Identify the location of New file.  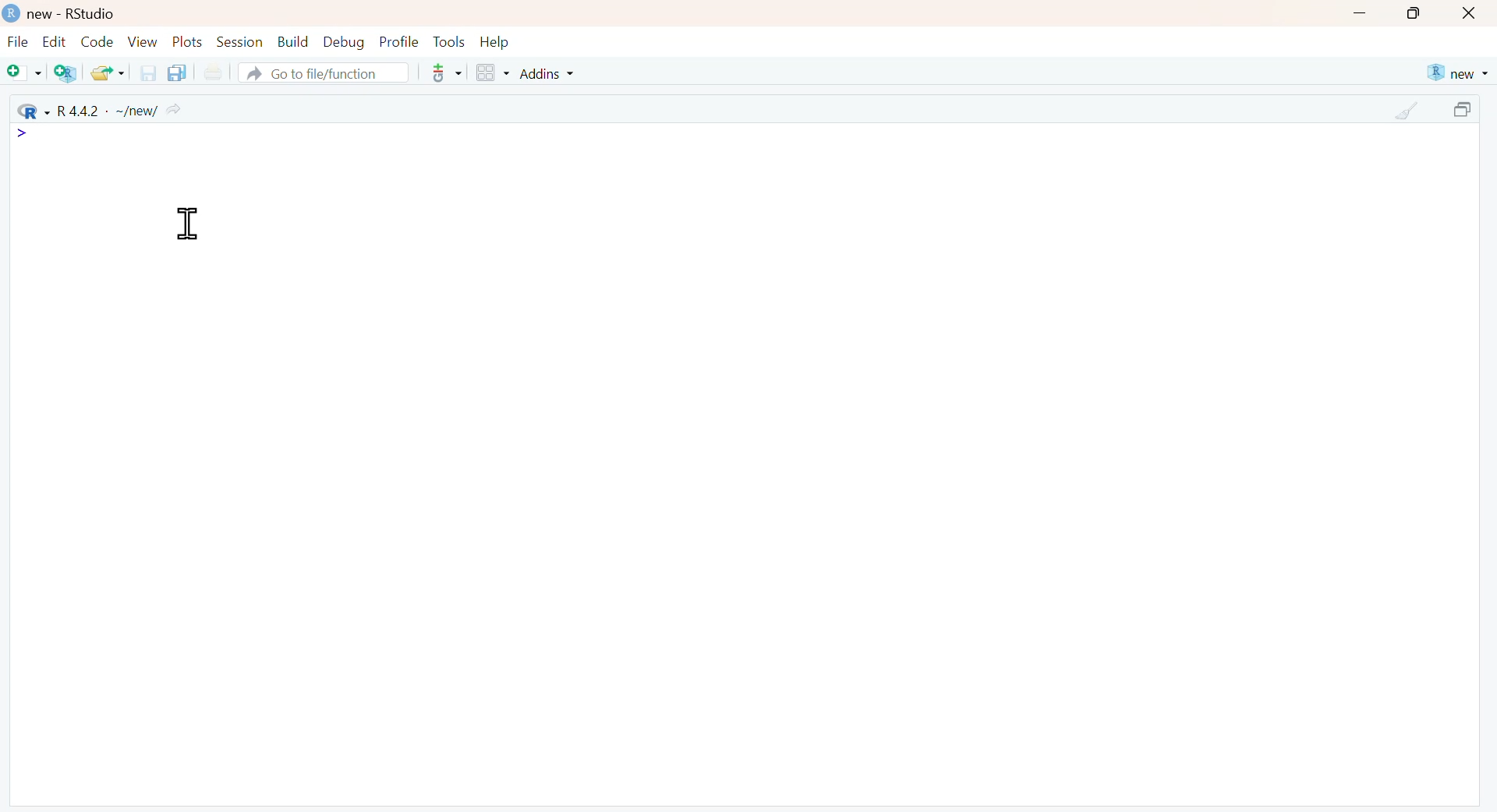
(23, 73).